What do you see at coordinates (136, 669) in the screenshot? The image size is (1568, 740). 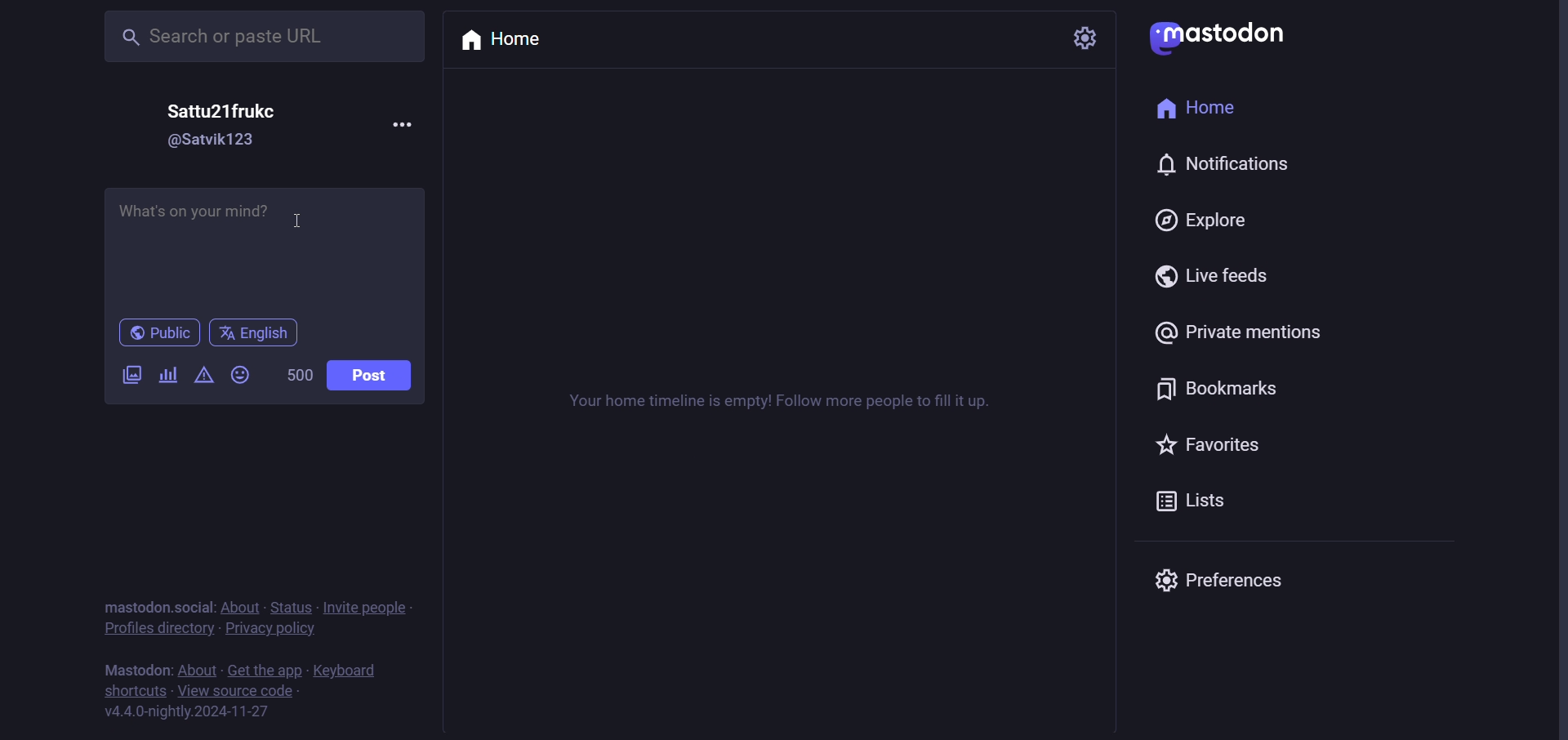 I see `mastodon` at bounding box center [136, 669].